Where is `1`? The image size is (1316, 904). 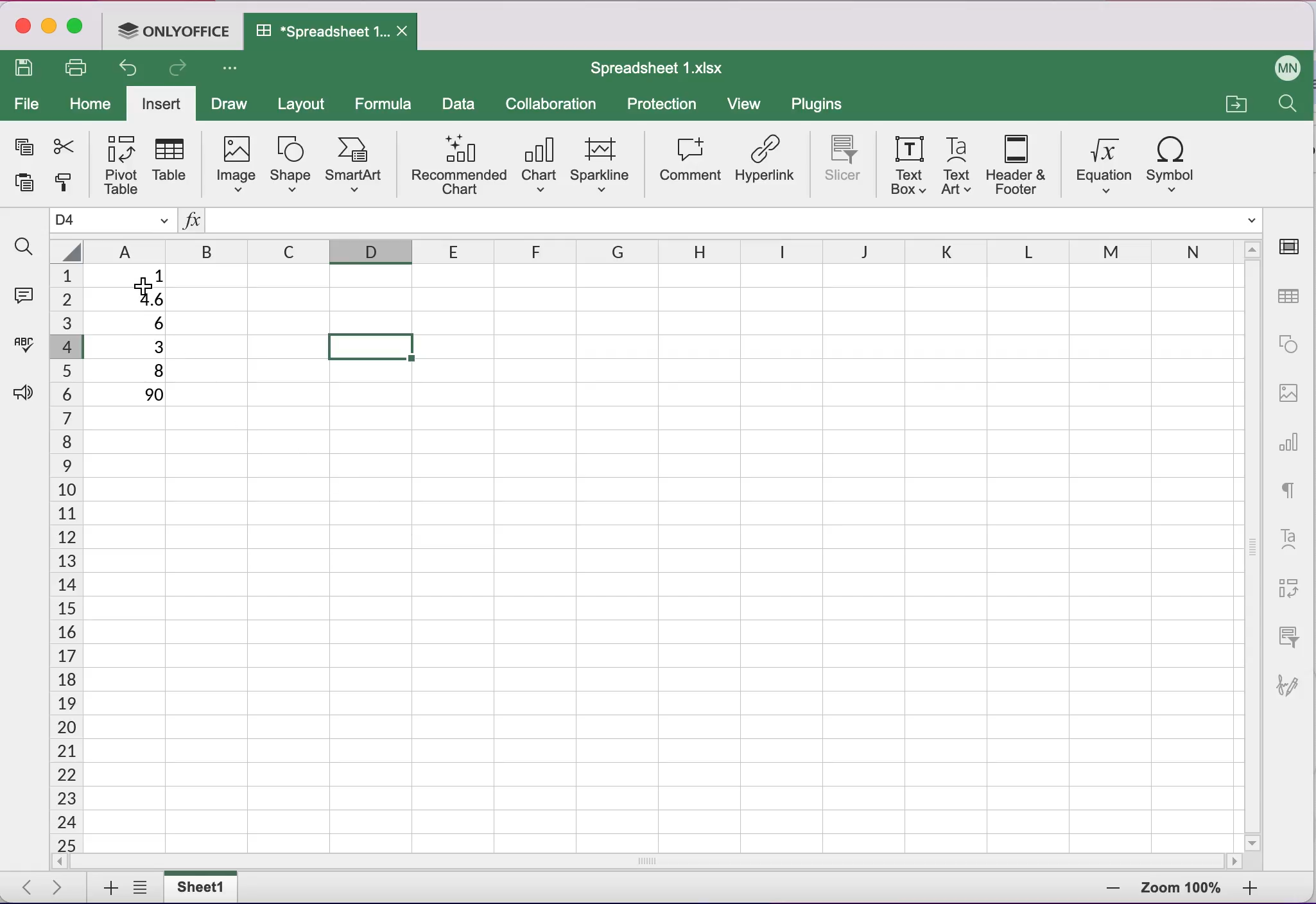 1 is located at coordinates (126, 275).